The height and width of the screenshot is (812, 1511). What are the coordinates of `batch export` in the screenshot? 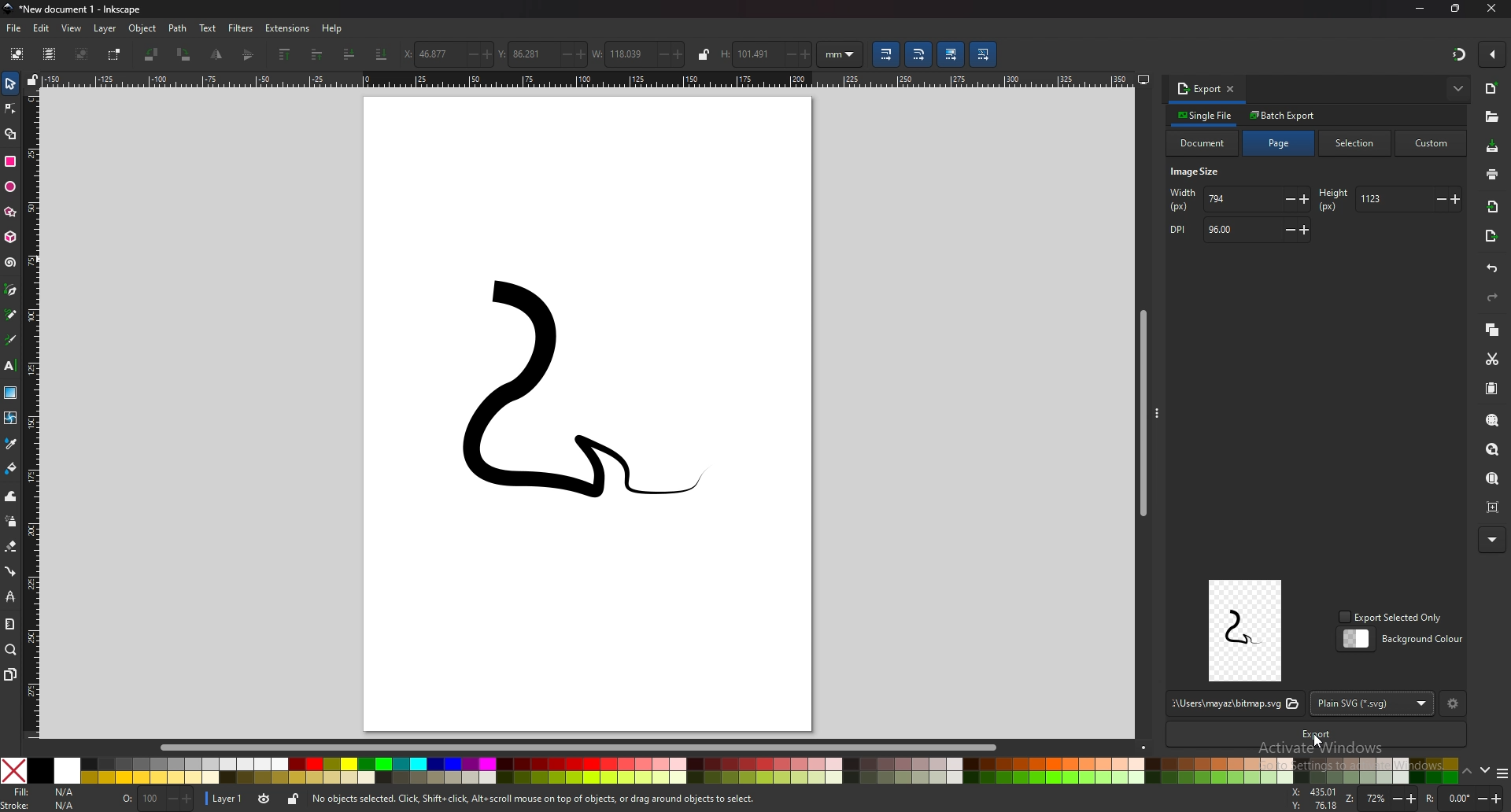 It's located at (1284, 115).